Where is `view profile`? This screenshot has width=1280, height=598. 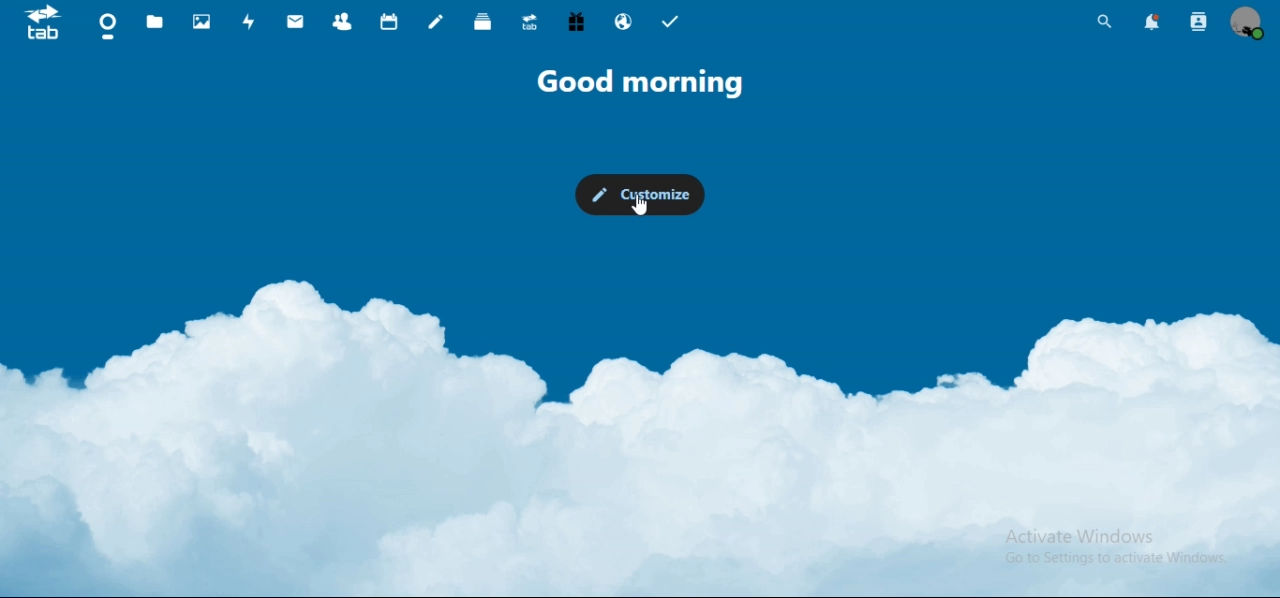
view profile is located at coordinates (1249, 23).